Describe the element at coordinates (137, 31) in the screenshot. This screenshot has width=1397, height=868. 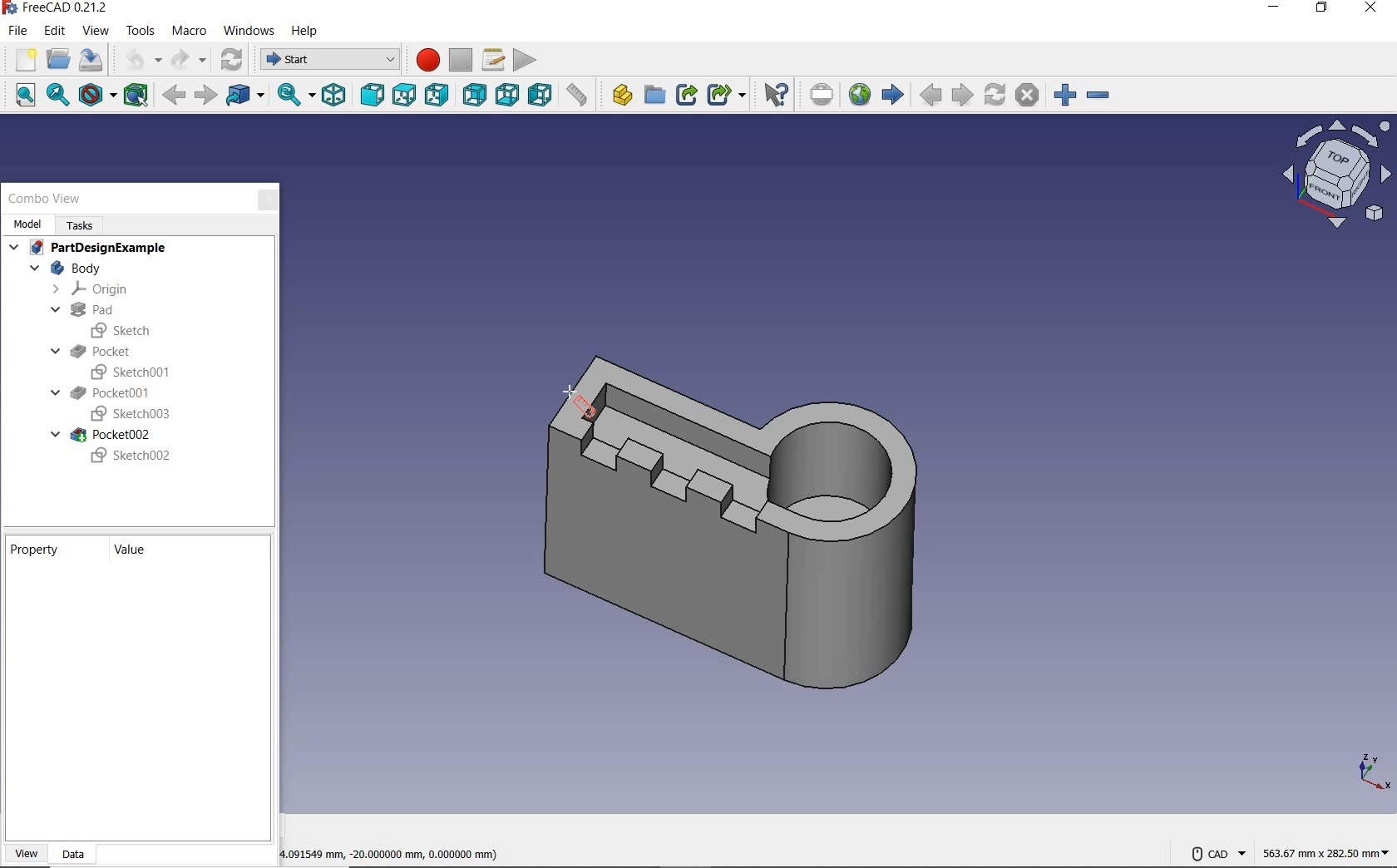
I see `tools` at that location.